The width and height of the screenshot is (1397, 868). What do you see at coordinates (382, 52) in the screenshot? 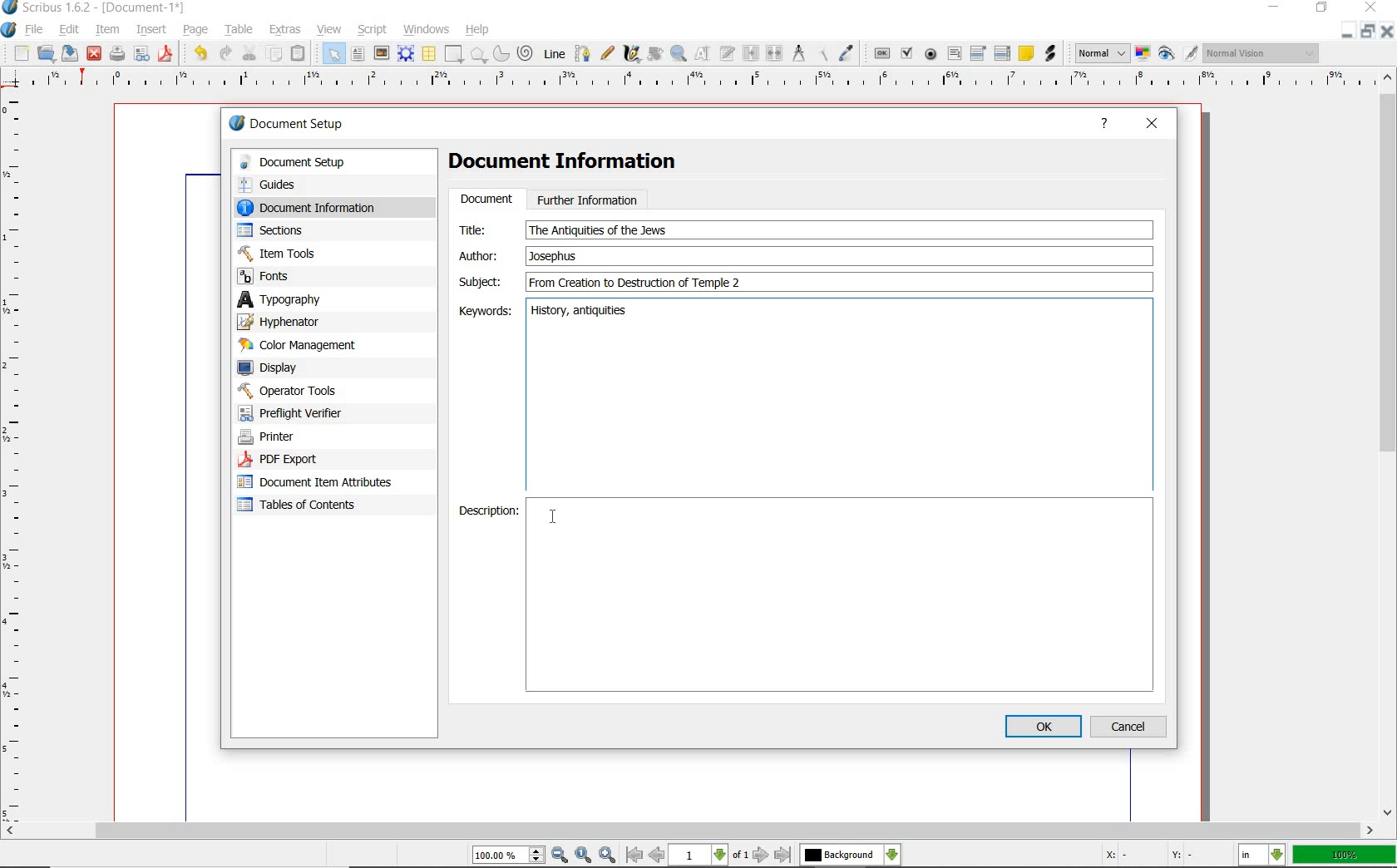
I see `image frame` at bounding box center [382, 52].